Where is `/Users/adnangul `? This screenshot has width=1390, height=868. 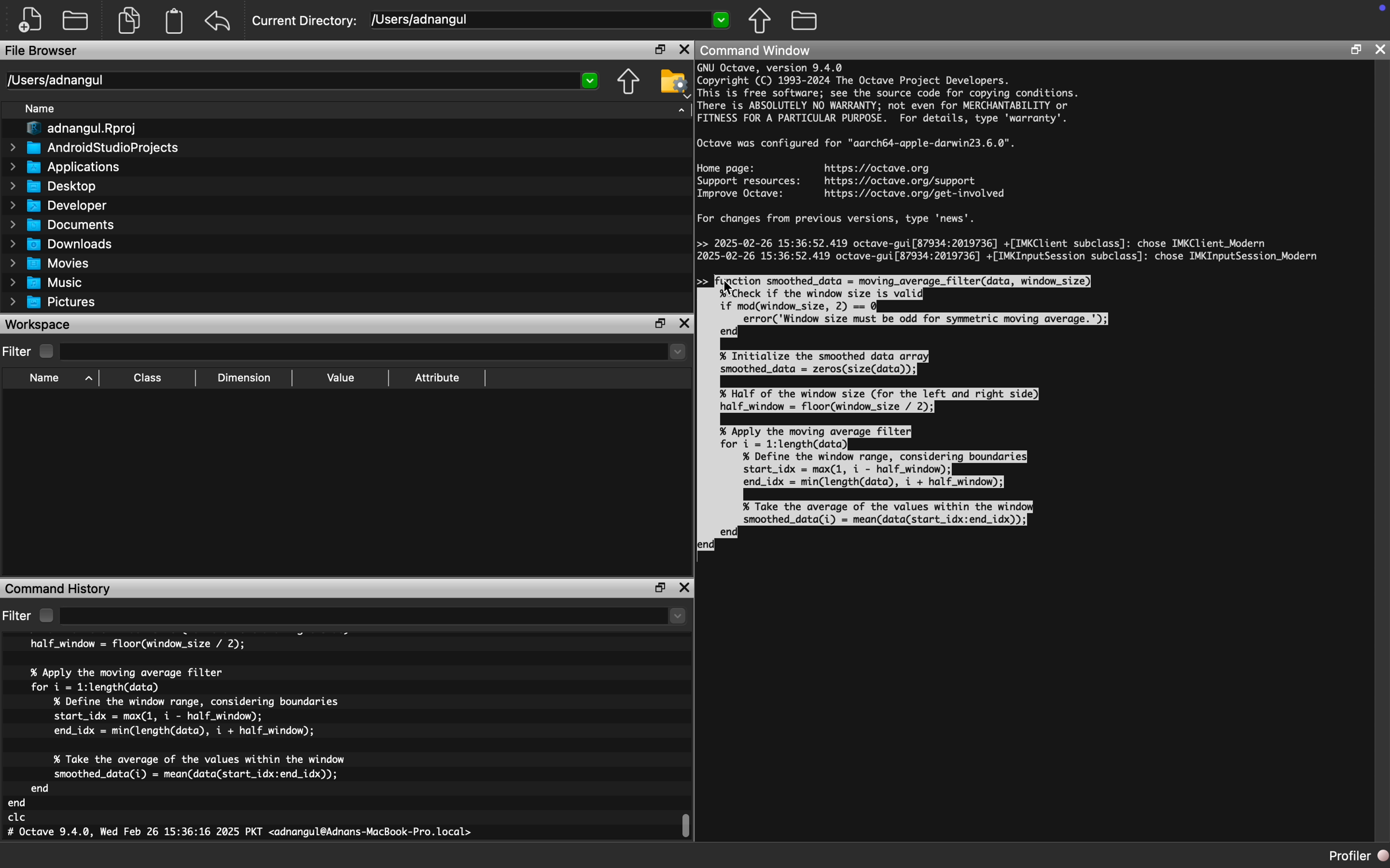
/Users/adnangul  is located at coordinates (303, 80).